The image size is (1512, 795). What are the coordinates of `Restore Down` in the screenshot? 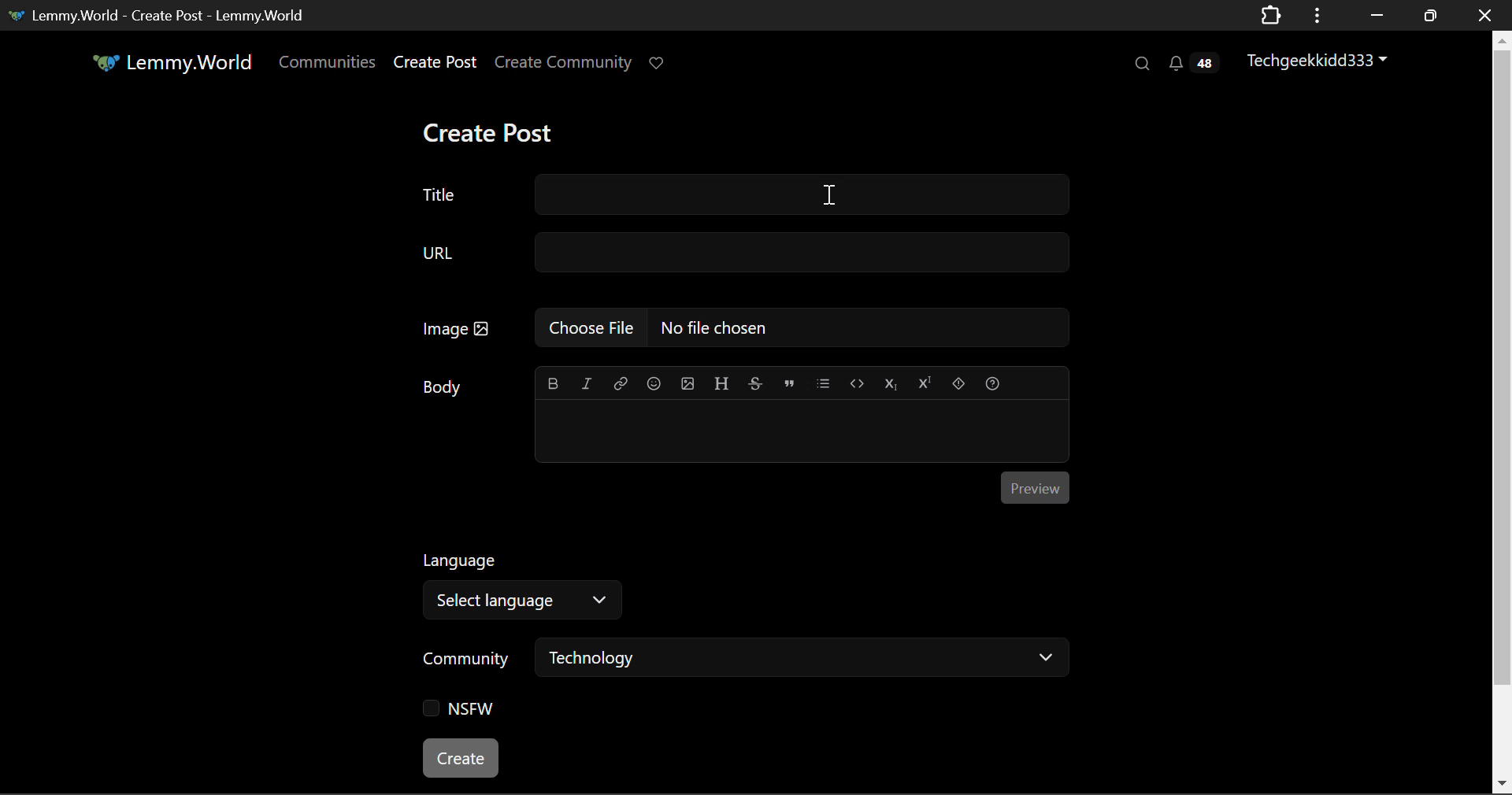 It's located at (1374, 15).